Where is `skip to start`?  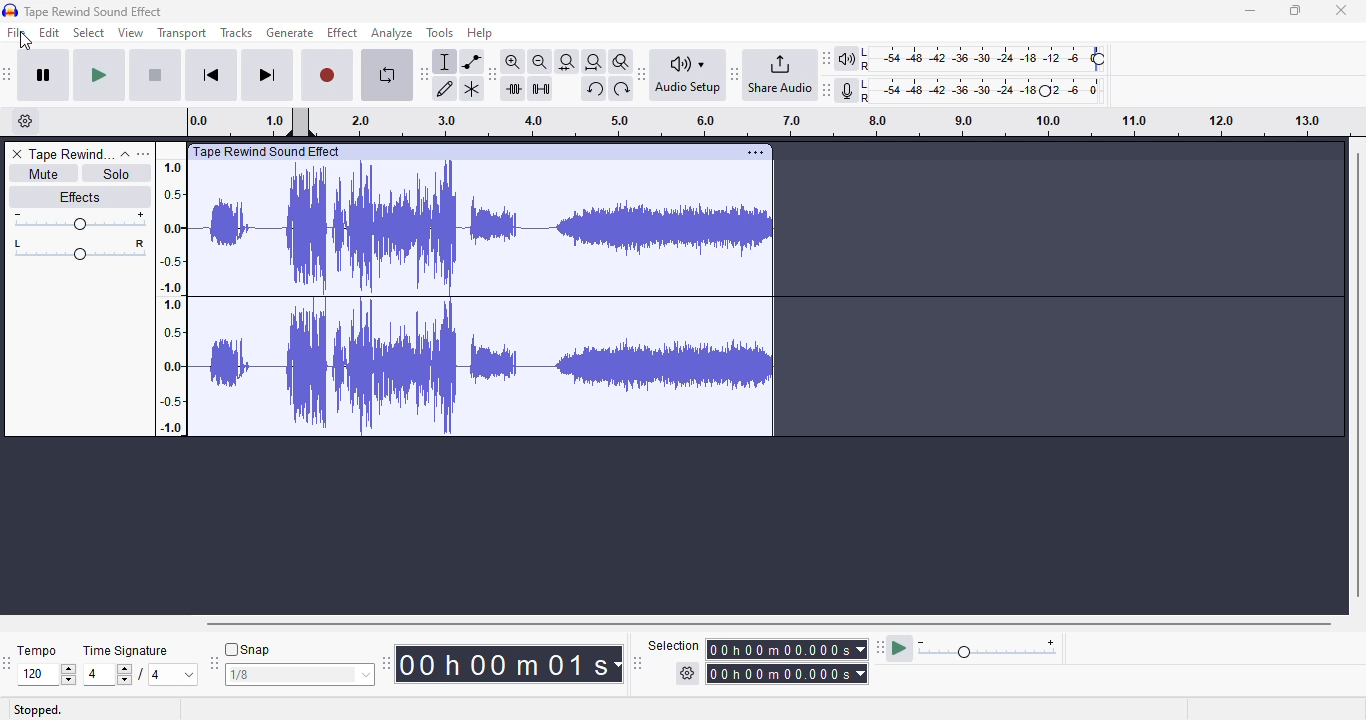
skip to start is located at coordinates (213, 75).